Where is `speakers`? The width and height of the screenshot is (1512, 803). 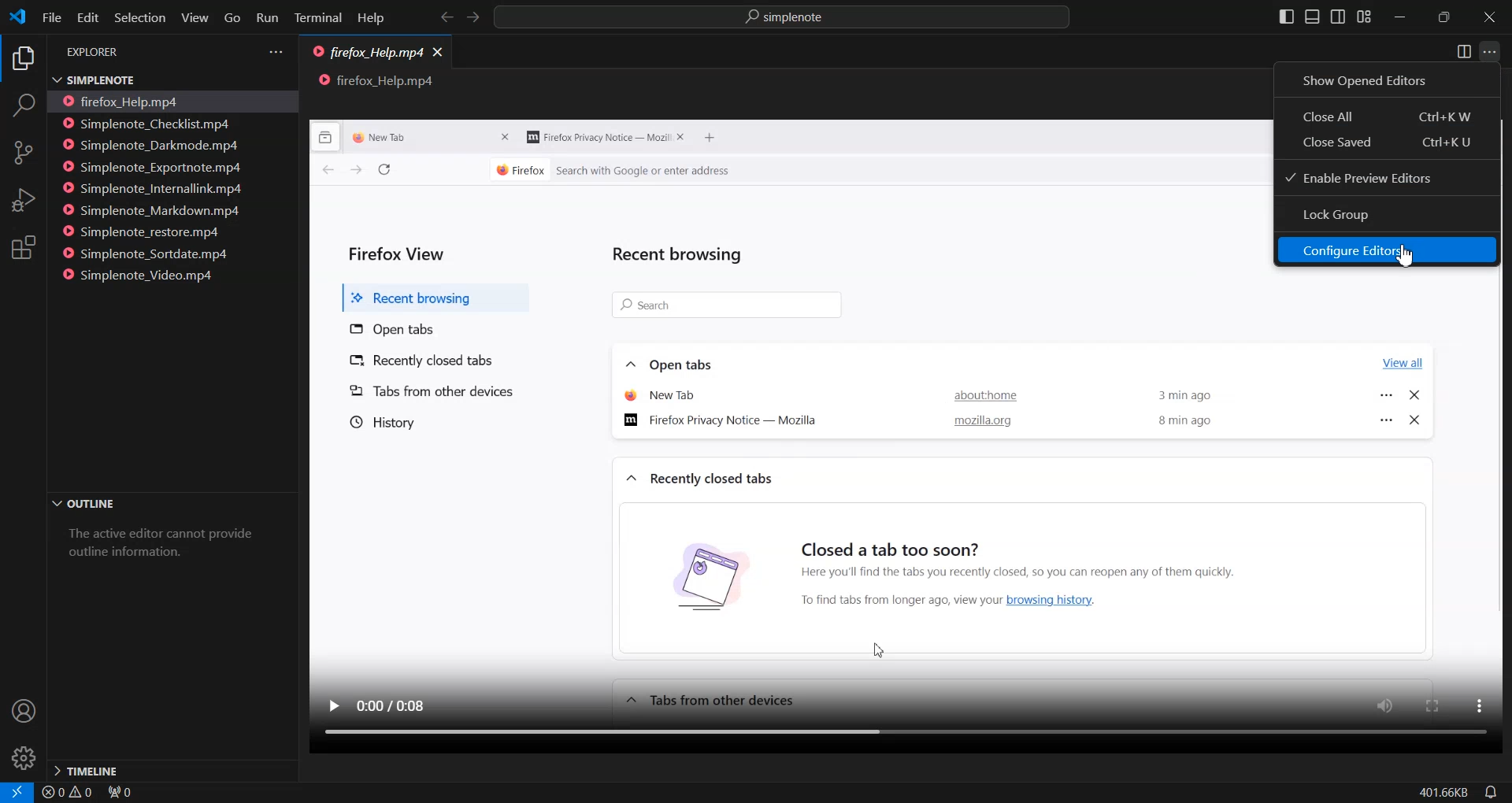
speakers is located at coordinates (1388, 705).